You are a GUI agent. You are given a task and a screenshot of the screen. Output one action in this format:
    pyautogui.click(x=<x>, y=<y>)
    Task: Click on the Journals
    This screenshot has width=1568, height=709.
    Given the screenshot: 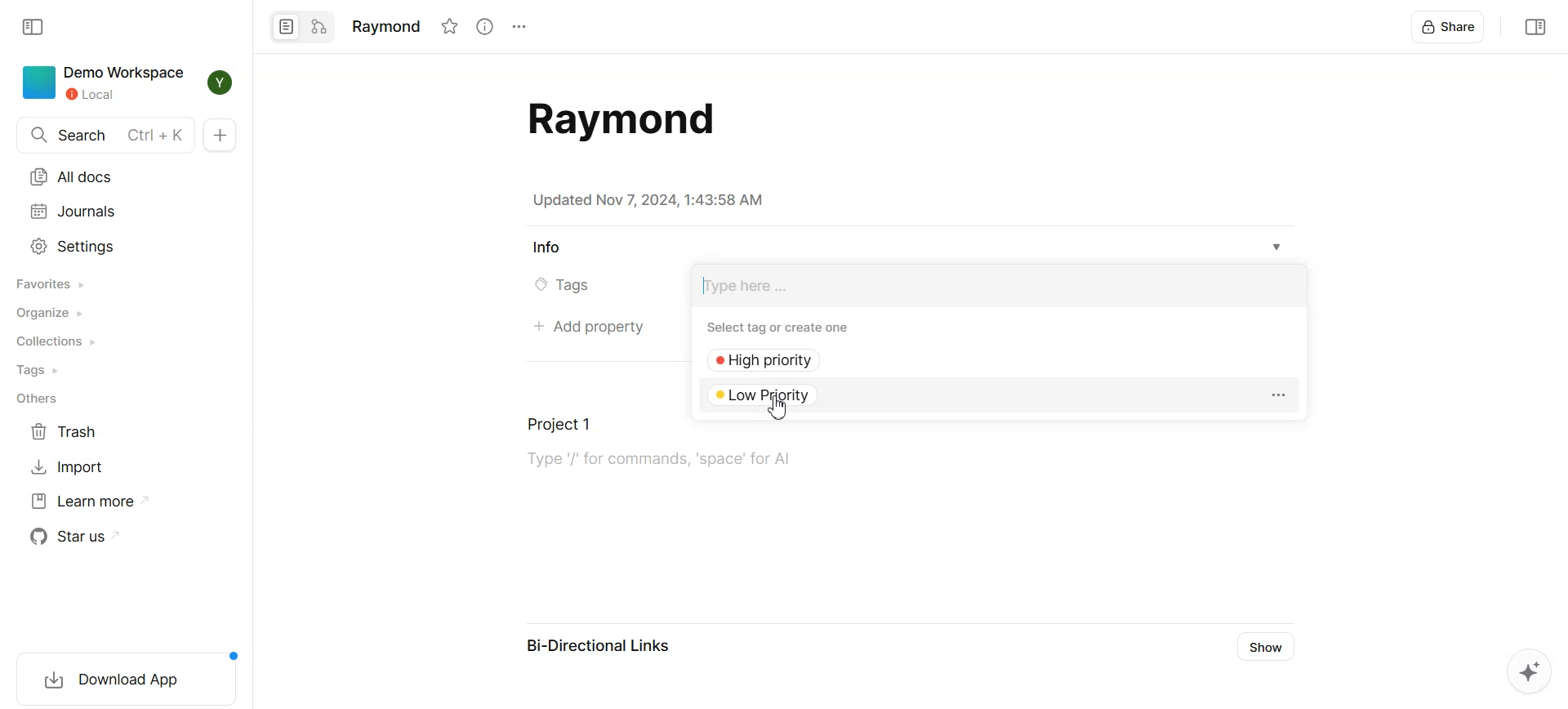 What is the action you would take?
    pyautogui.click(x=73, y=212)
    